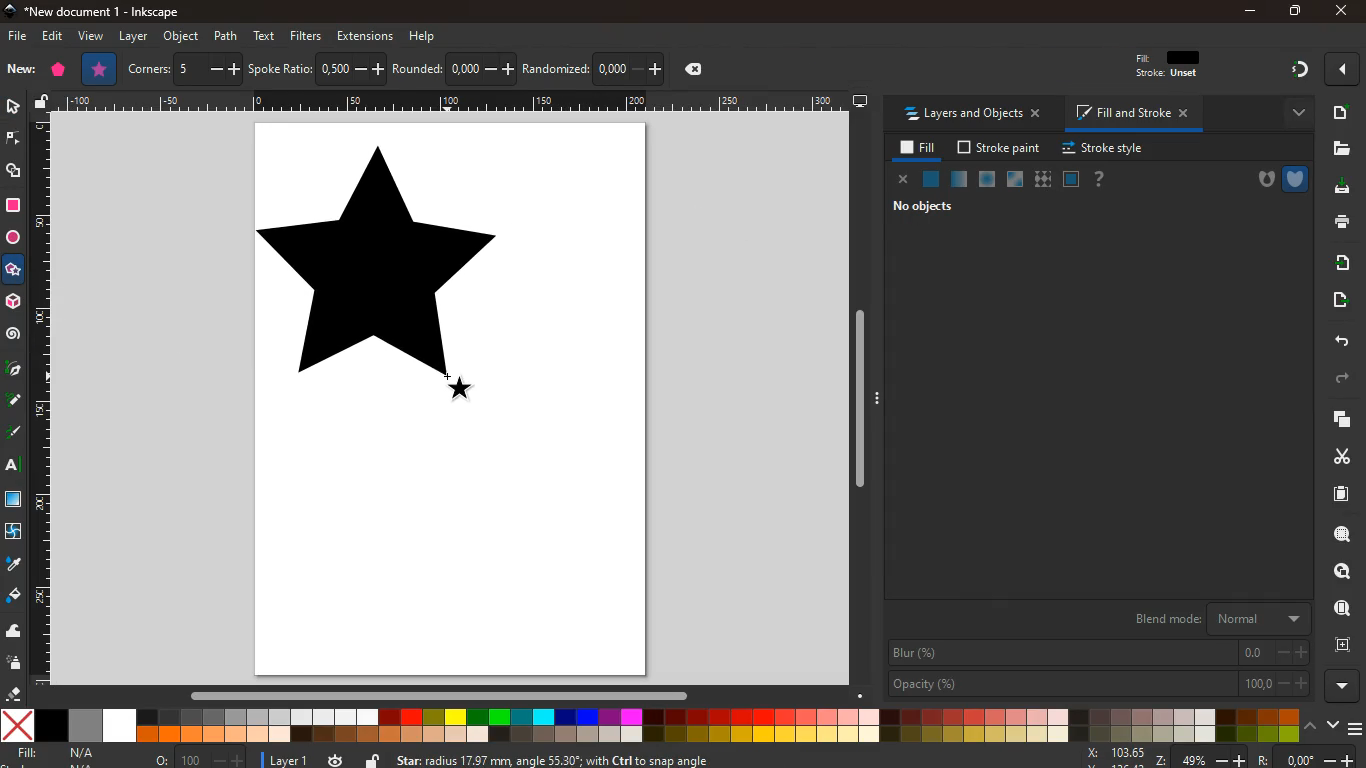 The image size is (1366, 768). I want to click on desktop, so click(861, 101).